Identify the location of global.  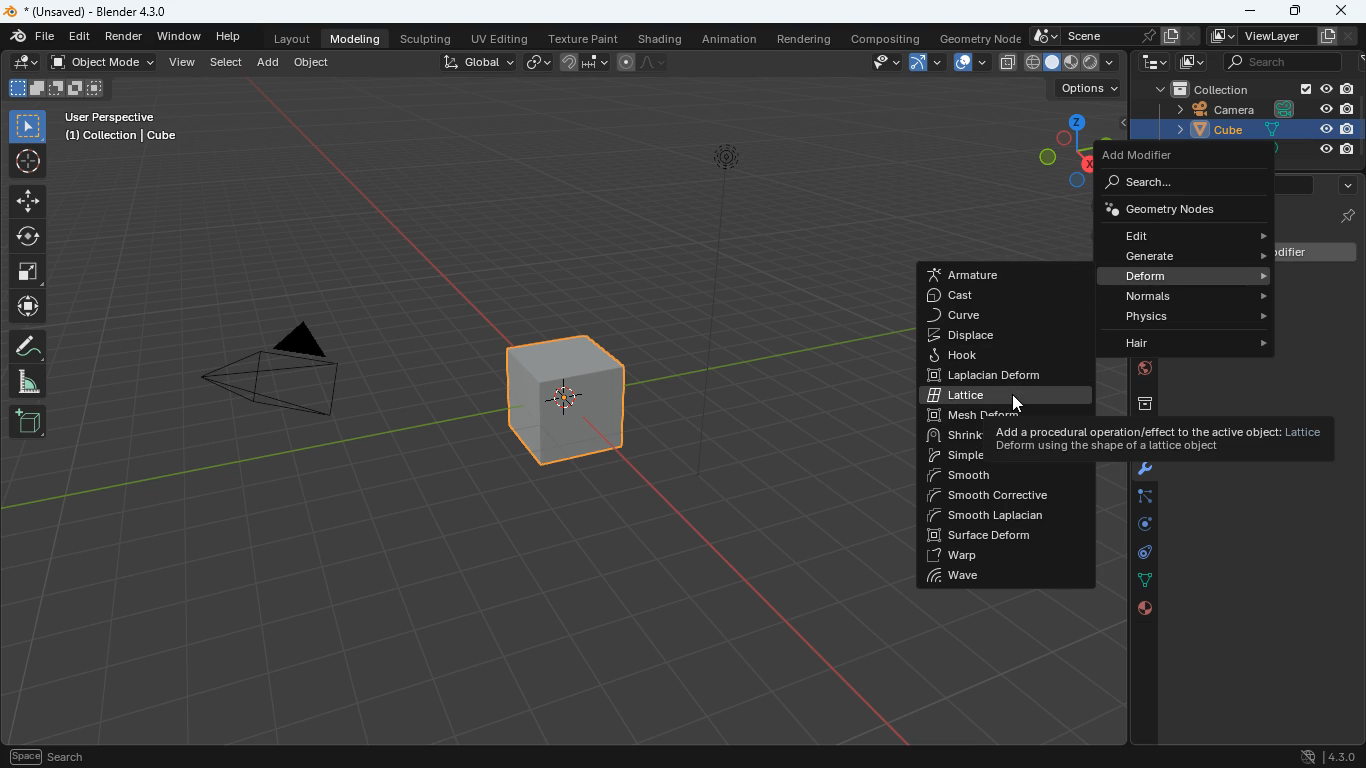
(478, 62).